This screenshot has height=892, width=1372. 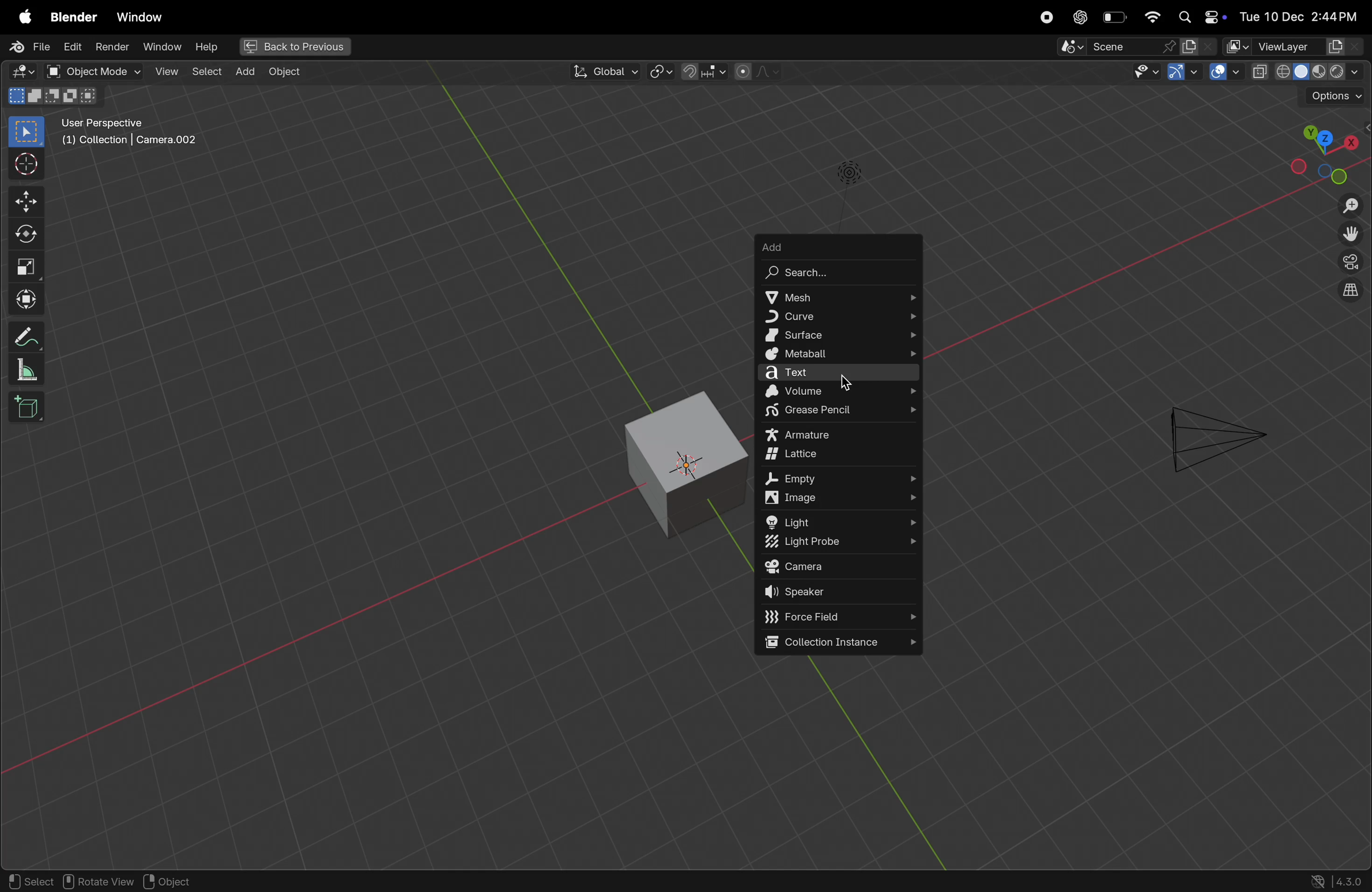 I want to click on File, so click(x=31, y=46).